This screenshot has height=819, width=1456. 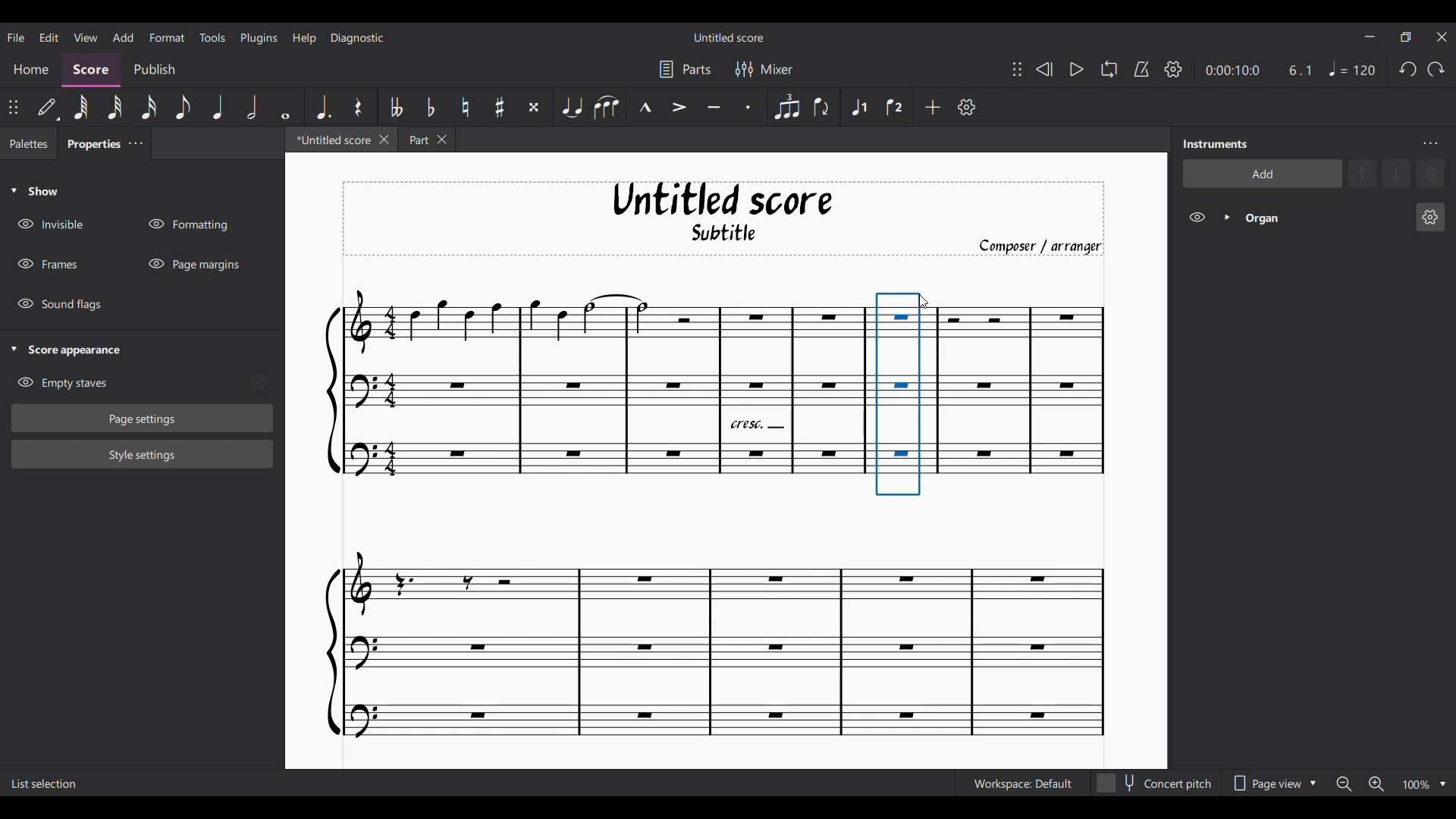 What do you see at coordinates (532, 107) in the screenshot?
I see `Toggle double sharp` at bounding box center [532, 107].